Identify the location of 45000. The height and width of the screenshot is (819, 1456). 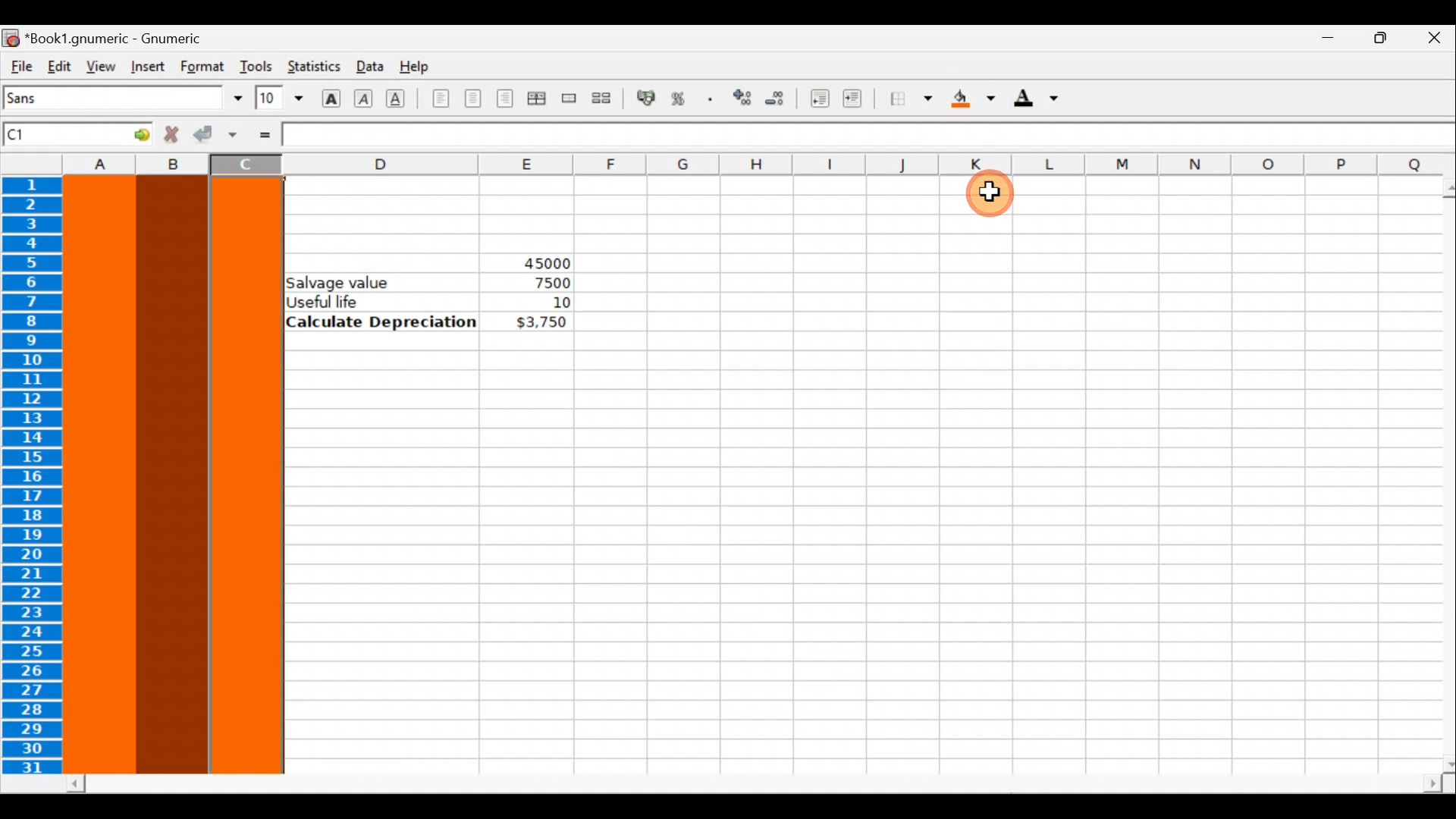
(533, 260).